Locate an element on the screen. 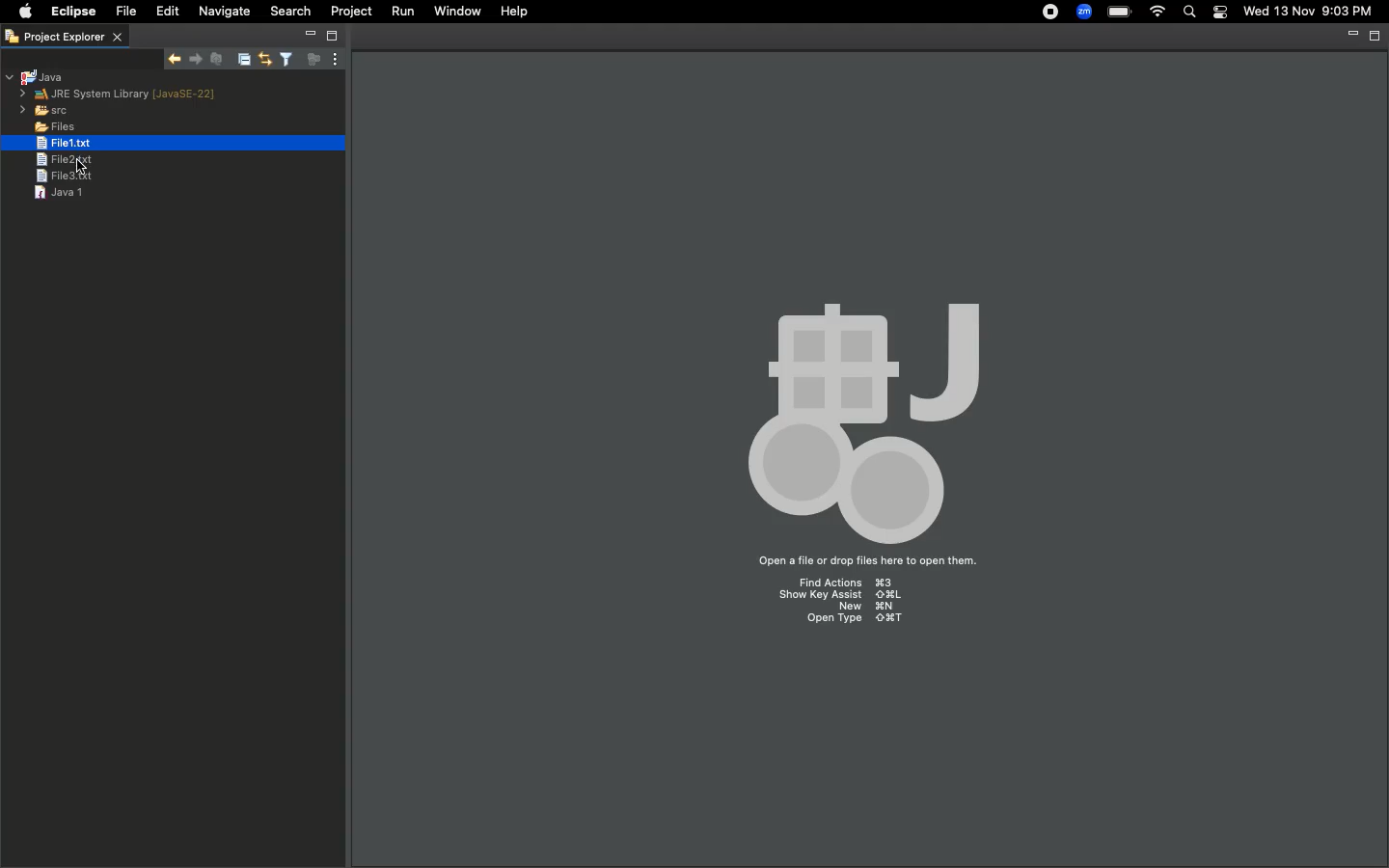  Recording is located at coordinates (1046, 14).